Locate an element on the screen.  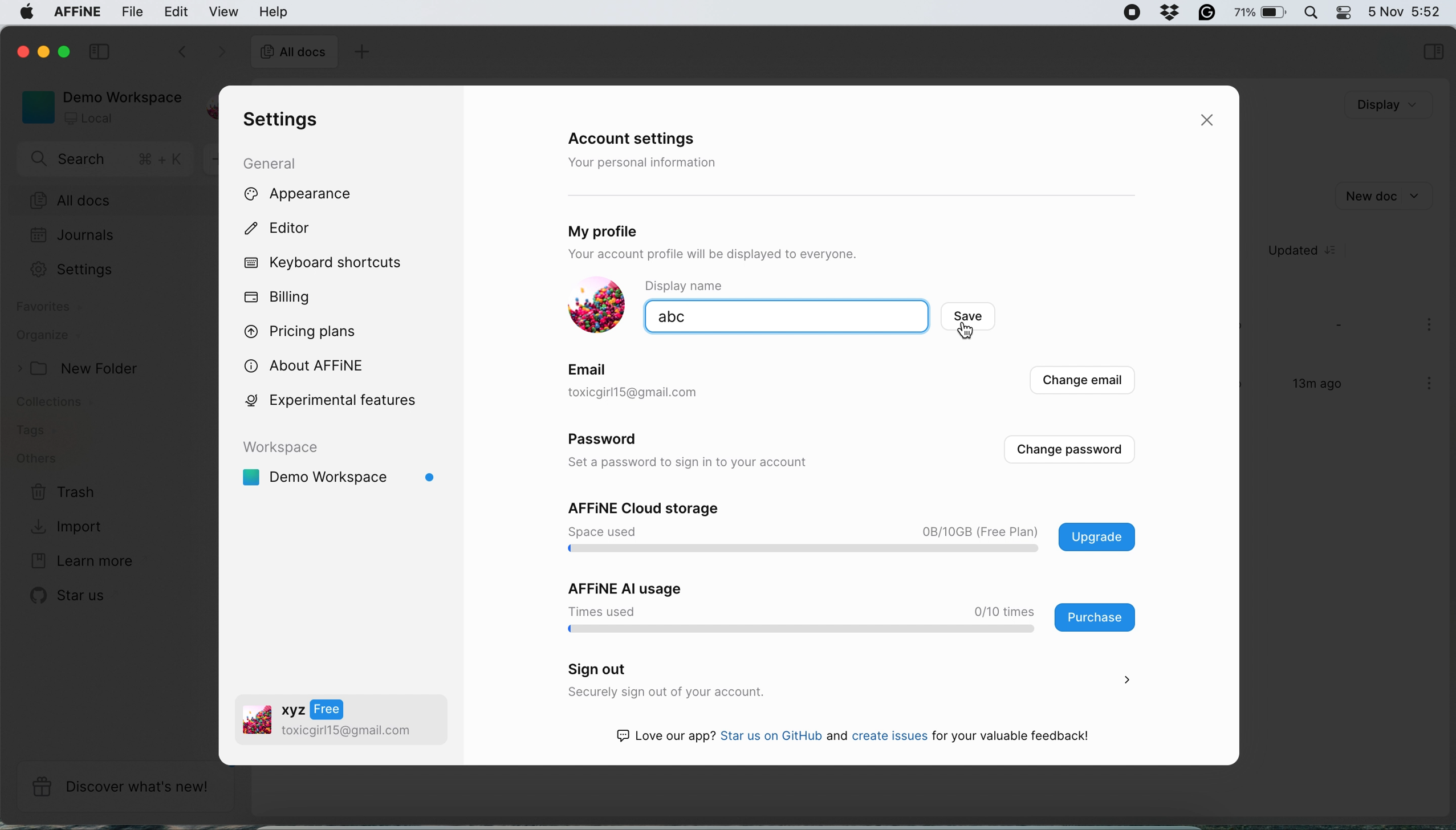
new folder is located at coordinates (83, 369).